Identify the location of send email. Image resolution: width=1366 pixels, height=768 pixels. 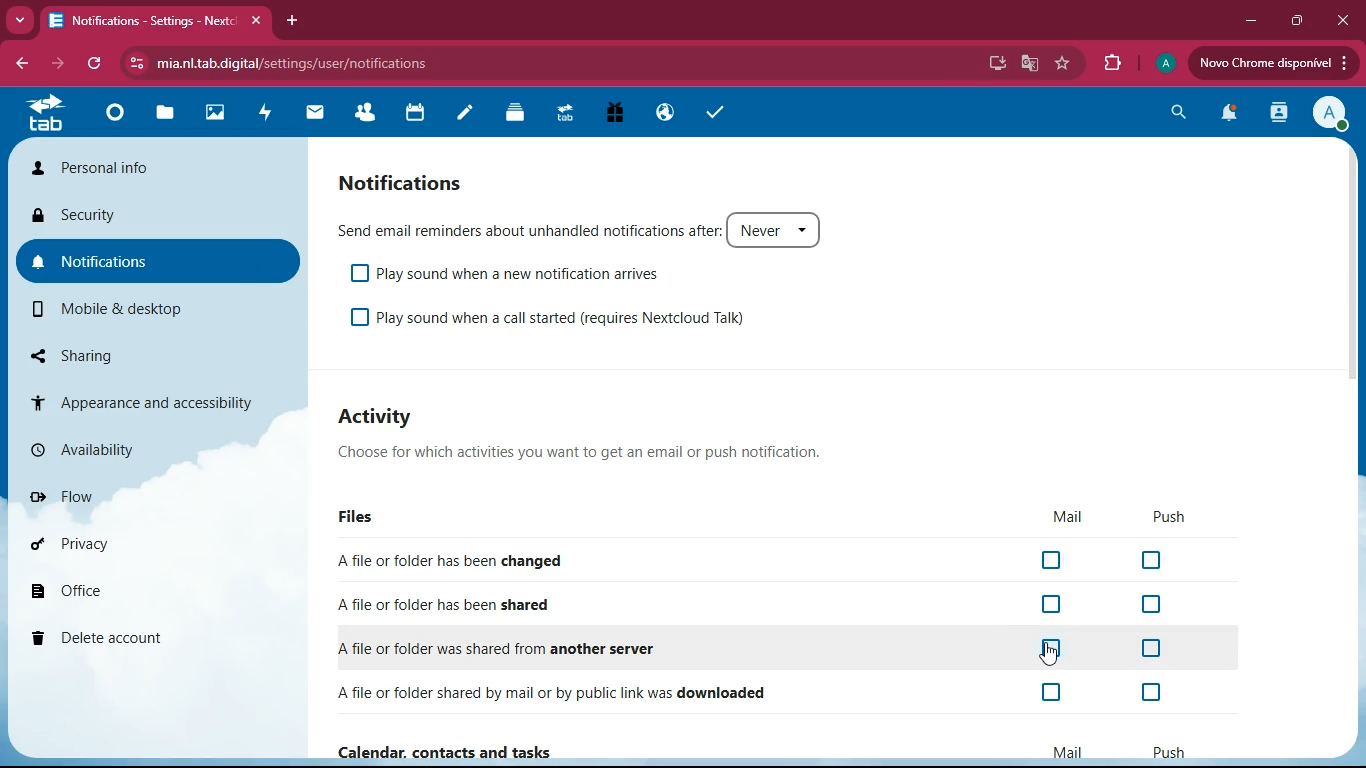
(586, 228).